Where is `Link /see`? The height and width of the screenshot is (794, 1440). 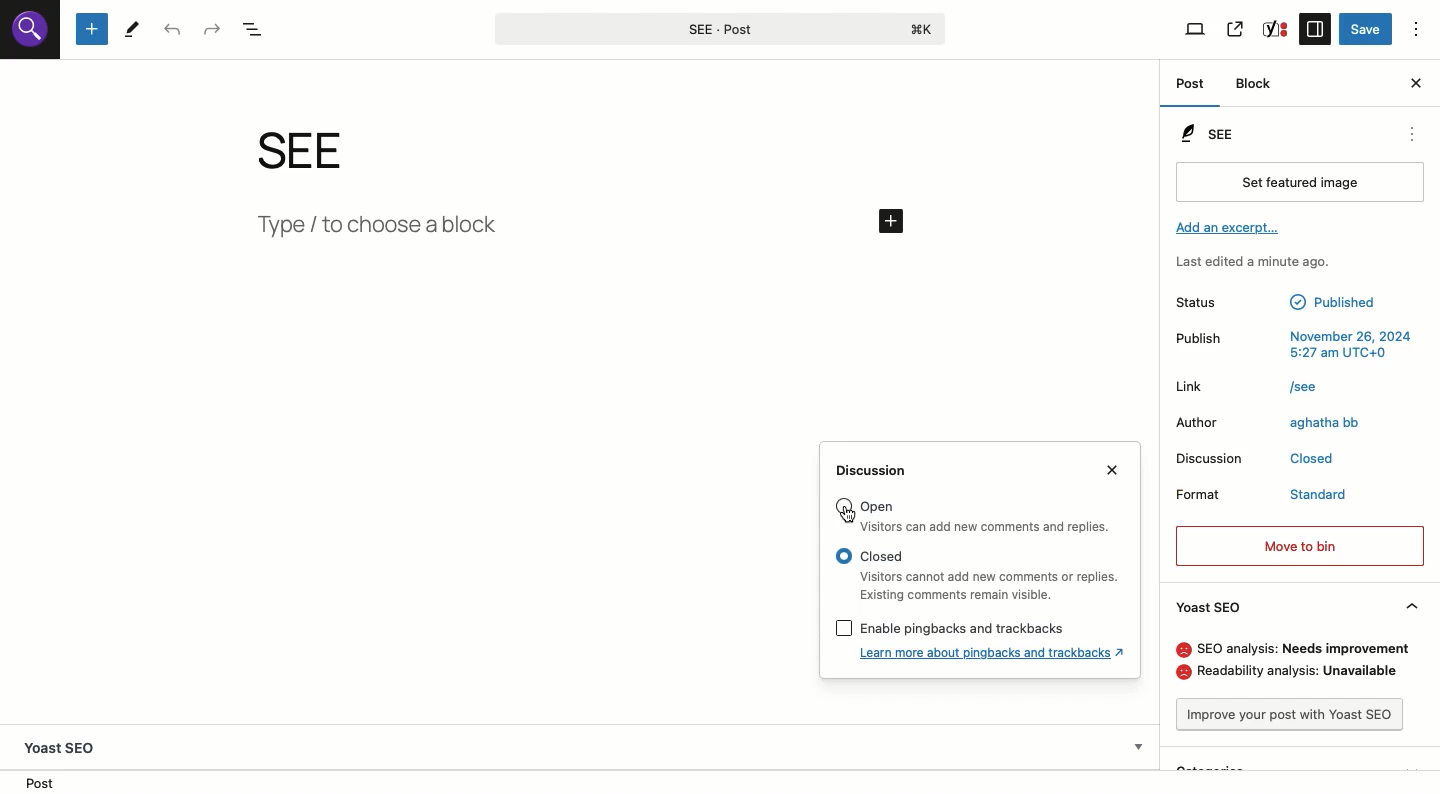 Link /see is located at coordinates (1257, 390).